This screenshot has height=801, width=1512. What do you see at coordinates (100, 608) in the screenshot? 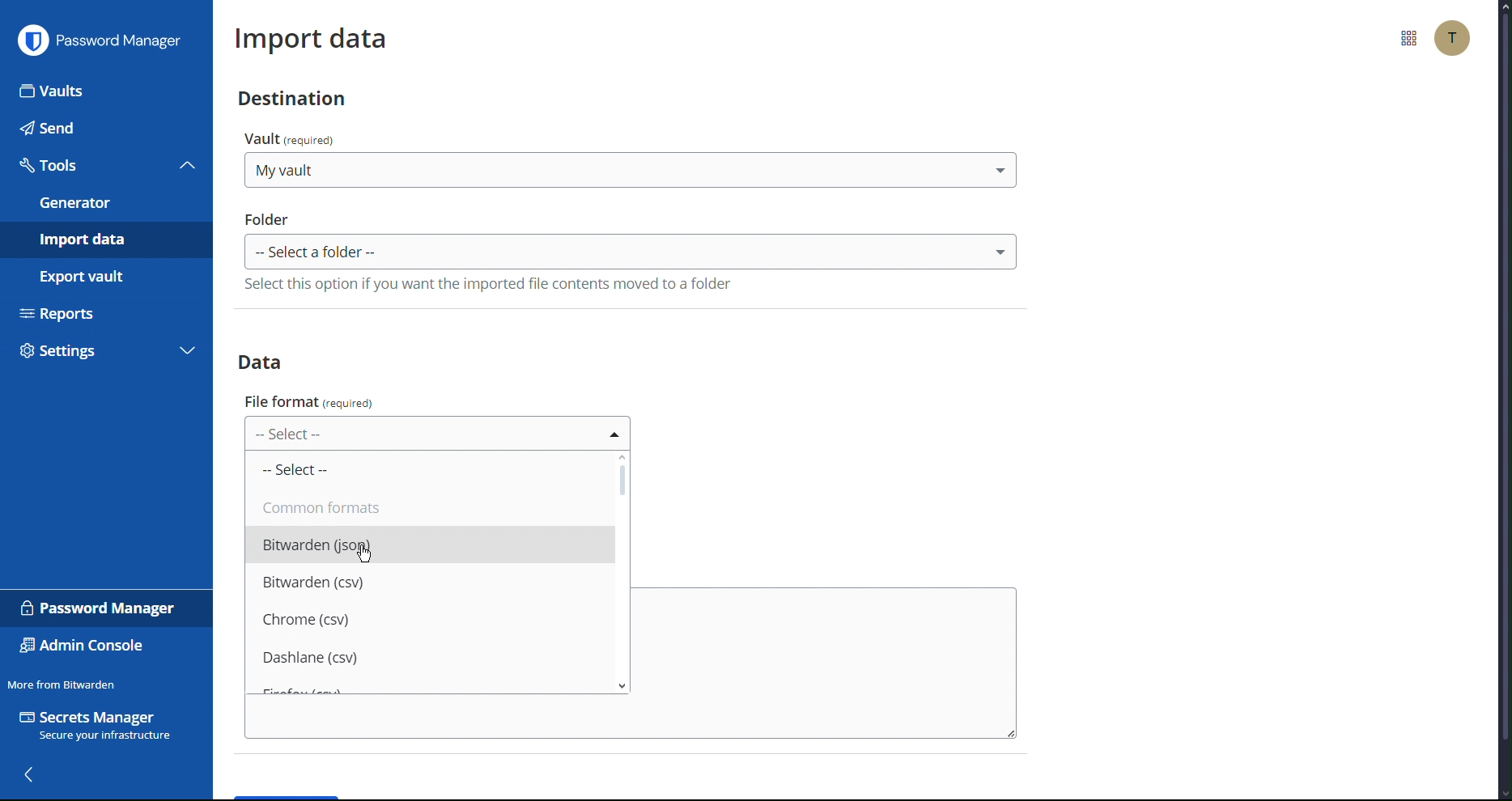
I see `Password Manager` at bounding box center [100, 608].